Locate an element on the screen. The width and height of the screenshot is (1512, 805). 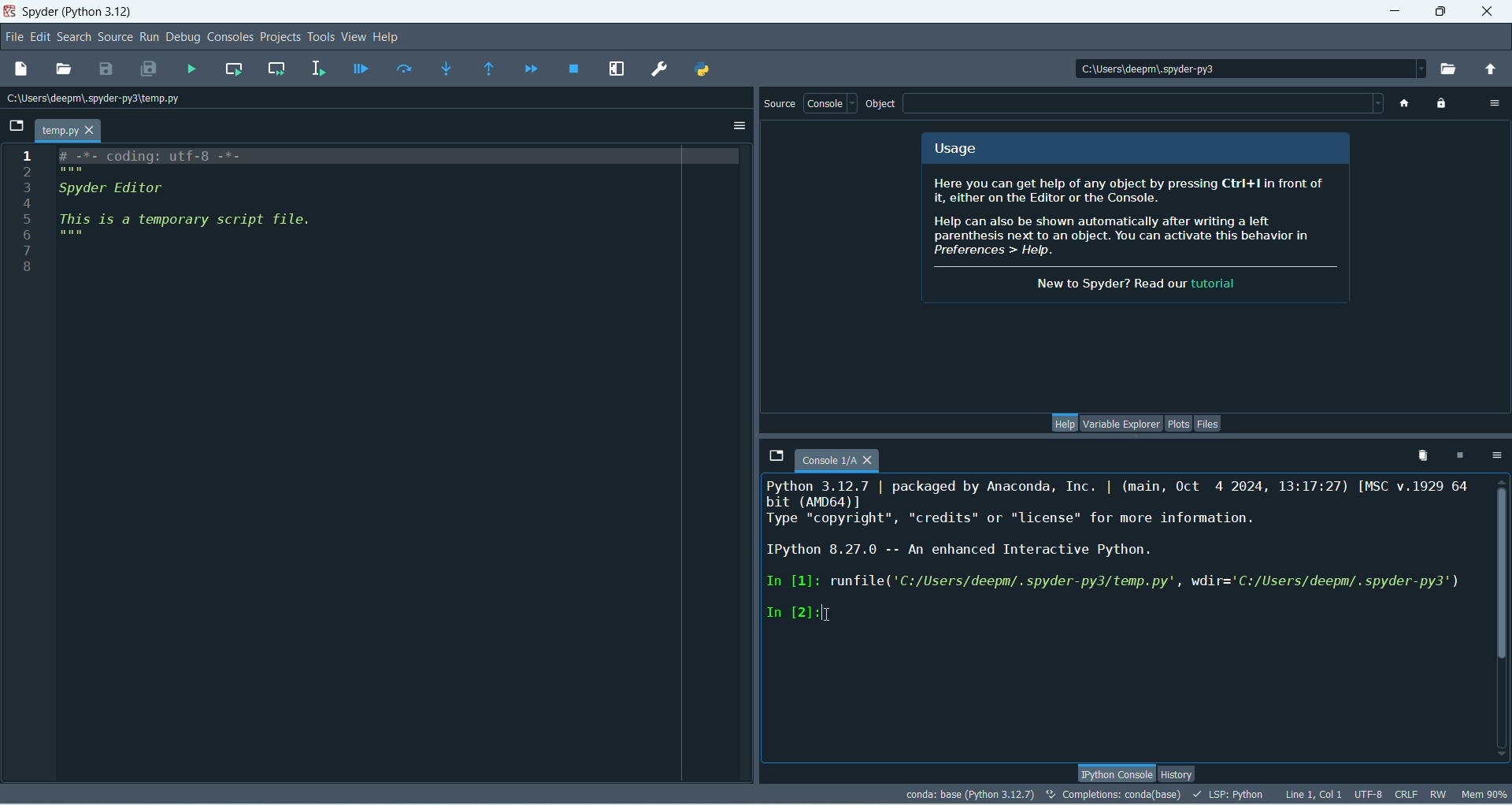
console text is located at coordinates (1121, 560).